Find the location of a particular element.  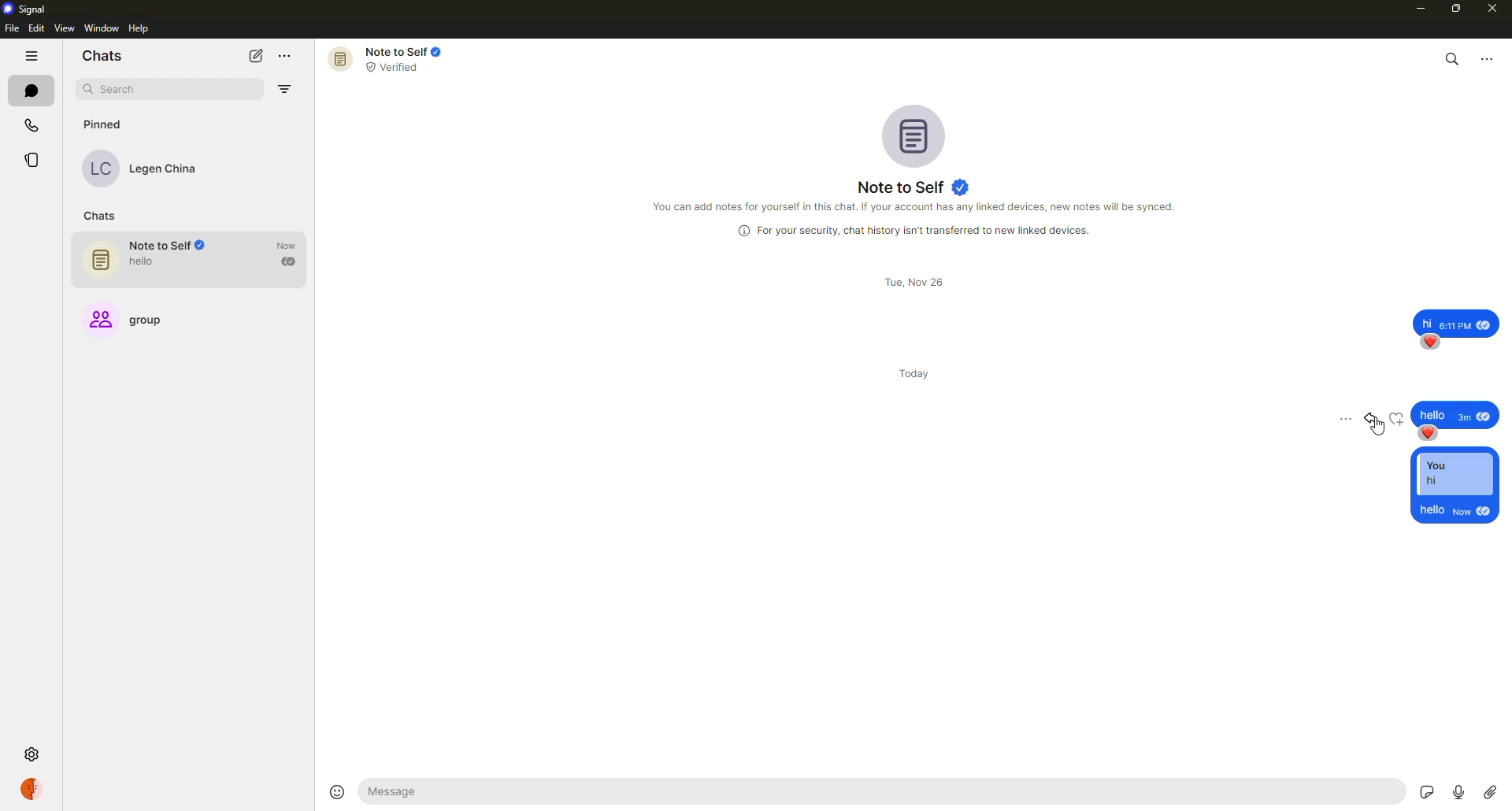

note to self is located at coordinates (387, 59).